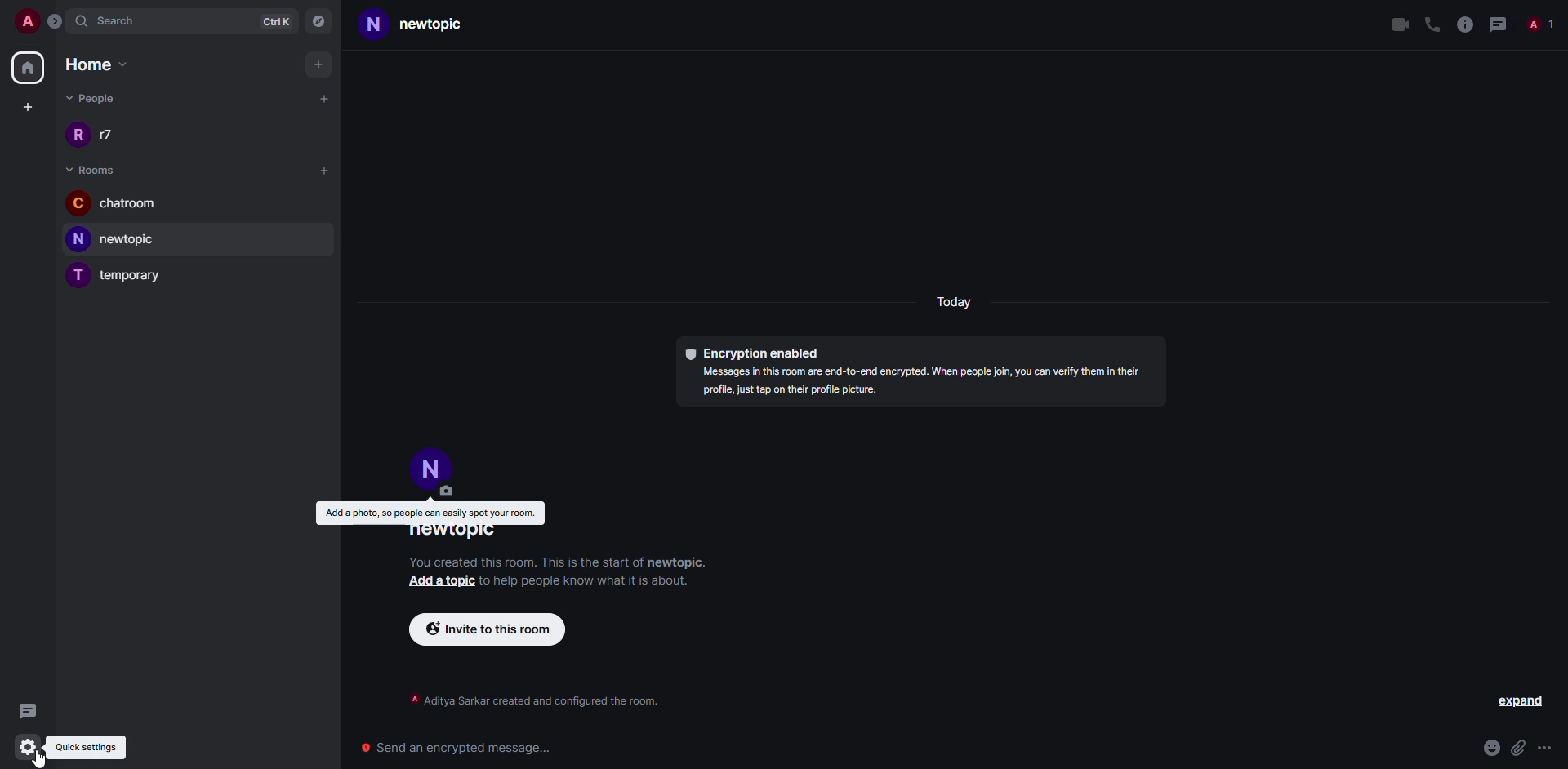 The height and width of the screenshot is (769, 1568). What do you see at coordinates (30, 748) in the screenshot?
I see `click` at bounding box center [30, 748].